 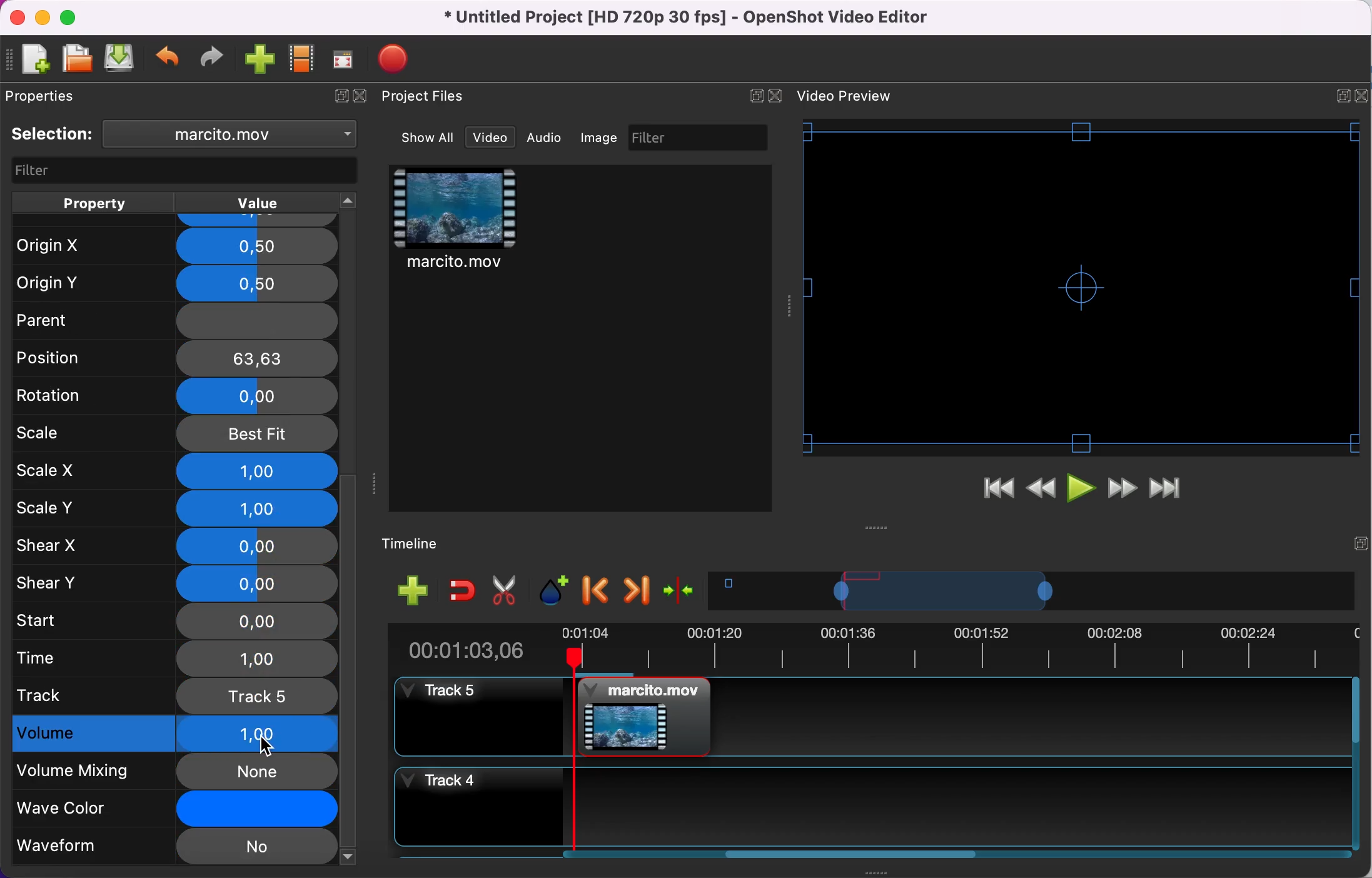 I want to click on Text, so click(x=844, y=96).